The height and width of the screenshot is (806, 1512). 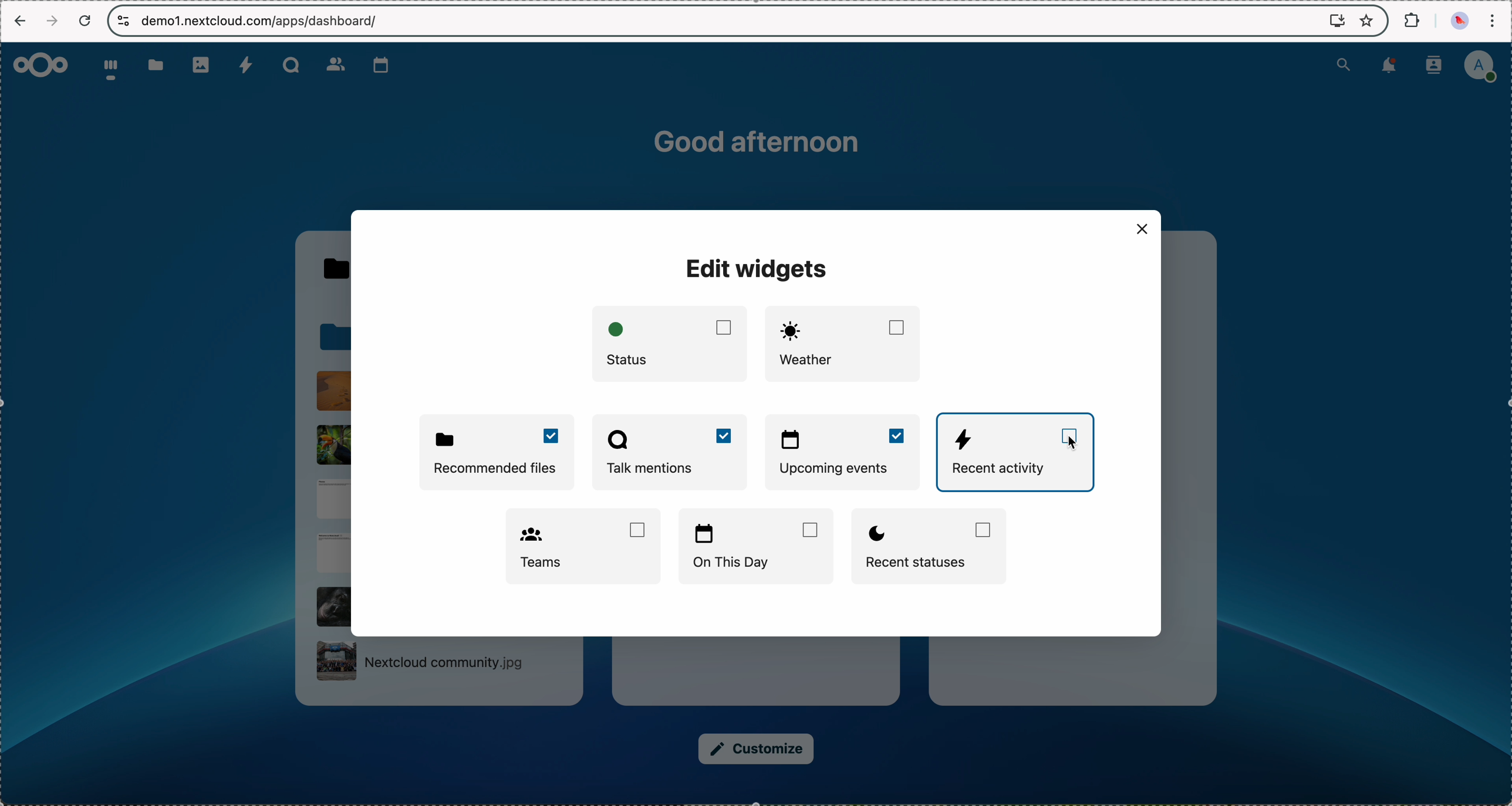 What do you see at coordinates (152, 66) in the screenshot?
I see `folder` at bounding box center [152, 66].